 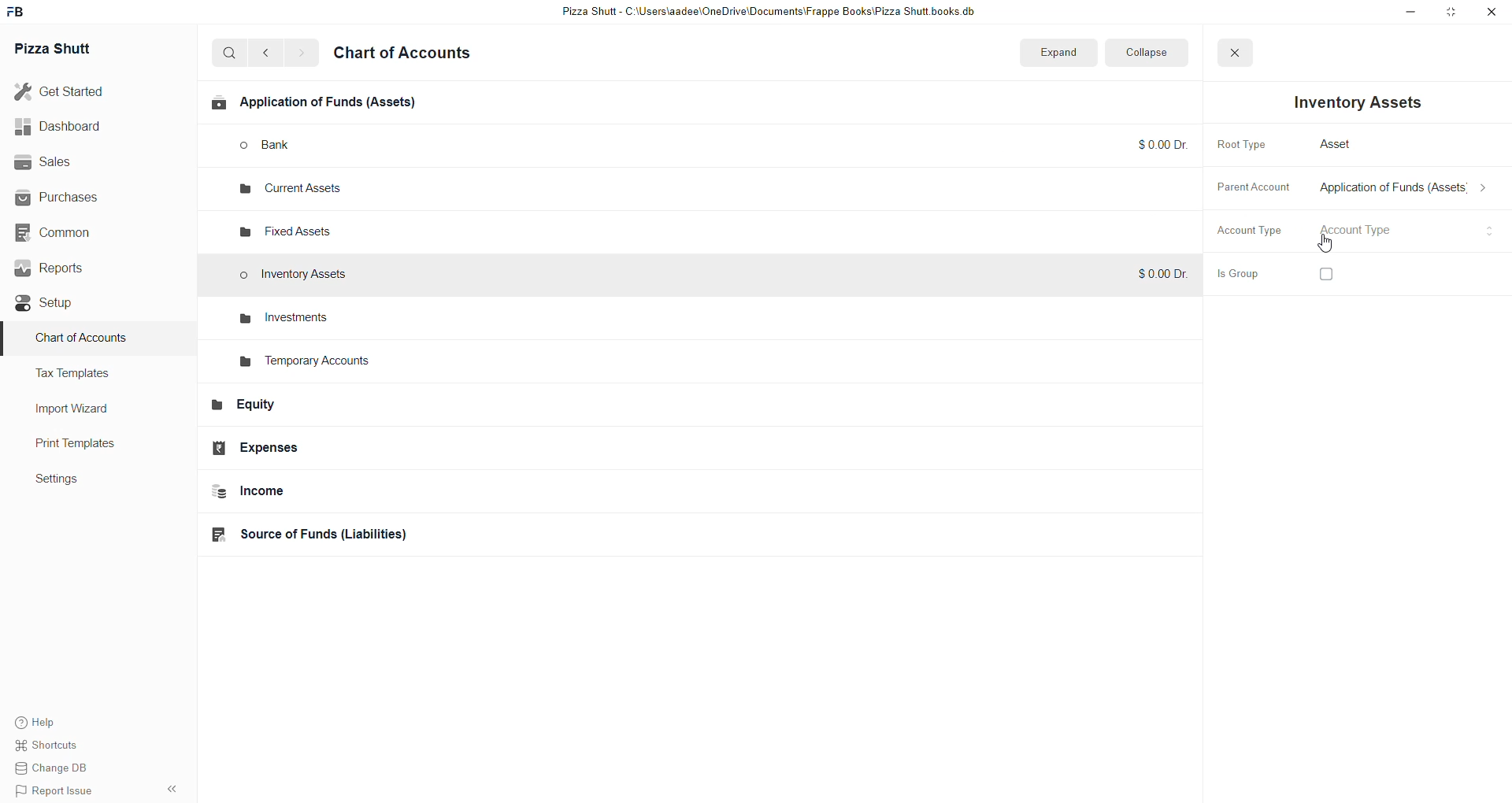 I want to click on current assets, so click(x=285, y=191).